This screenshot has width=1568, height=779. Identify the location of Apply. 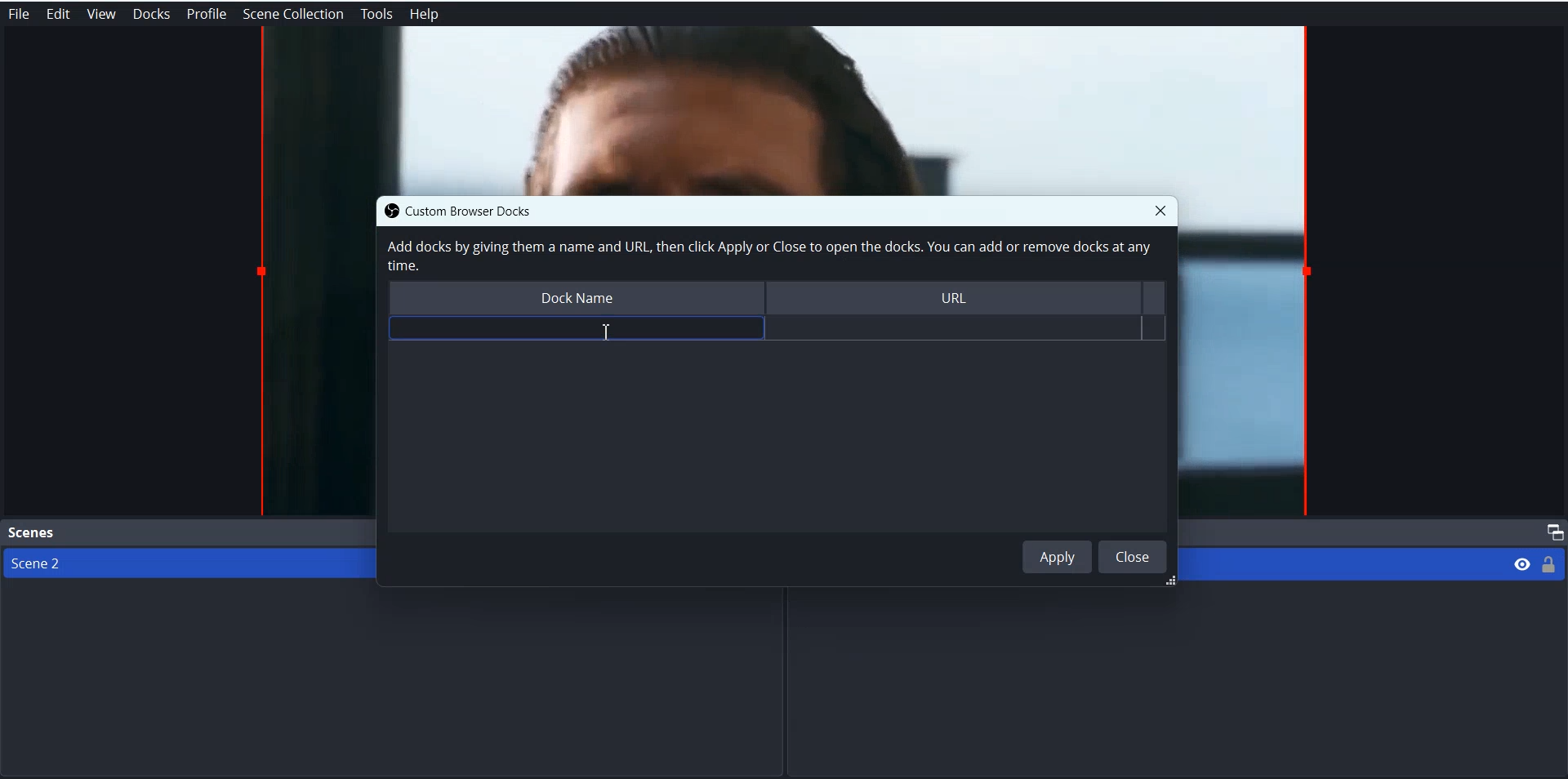
(1058, 556).